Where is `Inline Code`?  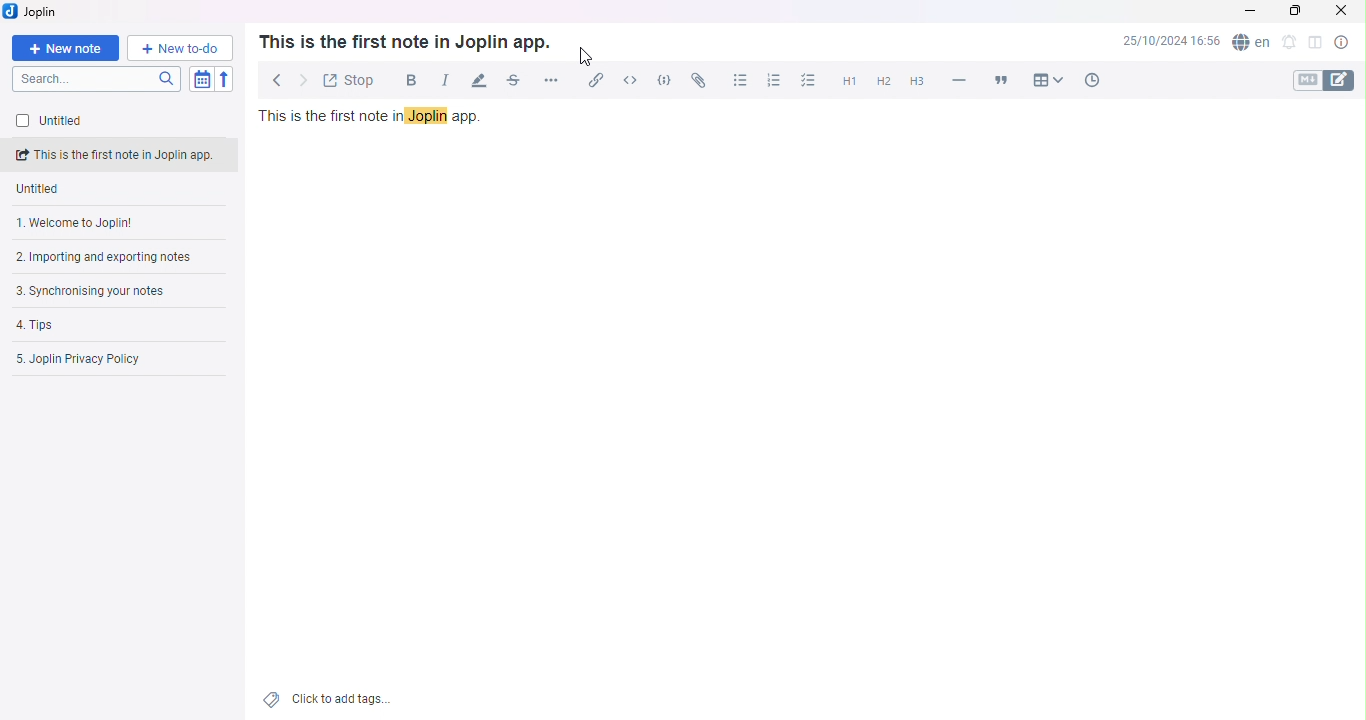
Inline Code is located at coordinates (628, 80).